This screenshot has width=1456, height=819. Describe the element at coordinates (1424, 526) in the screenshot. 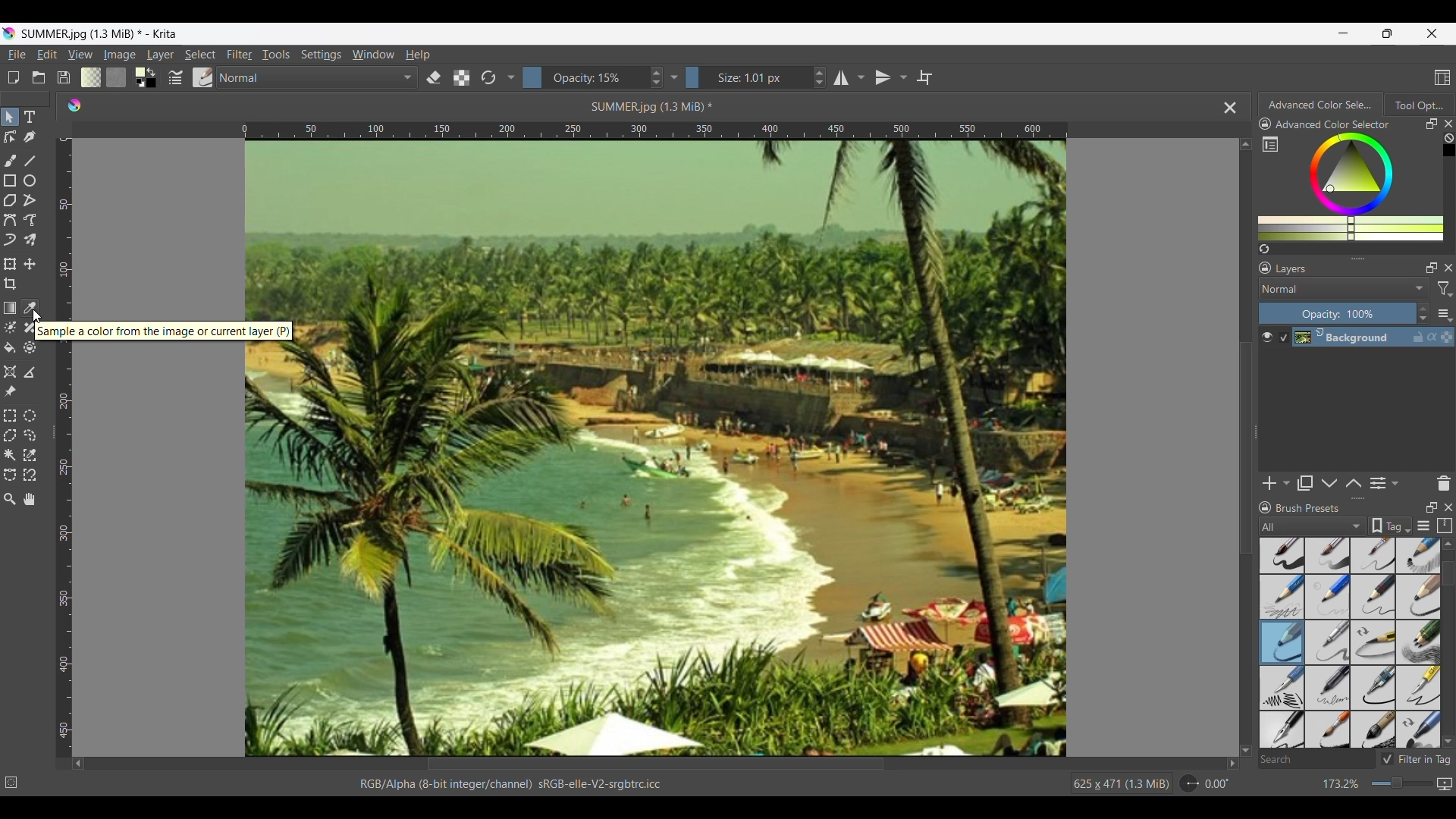

I see `Display settings` at that location.